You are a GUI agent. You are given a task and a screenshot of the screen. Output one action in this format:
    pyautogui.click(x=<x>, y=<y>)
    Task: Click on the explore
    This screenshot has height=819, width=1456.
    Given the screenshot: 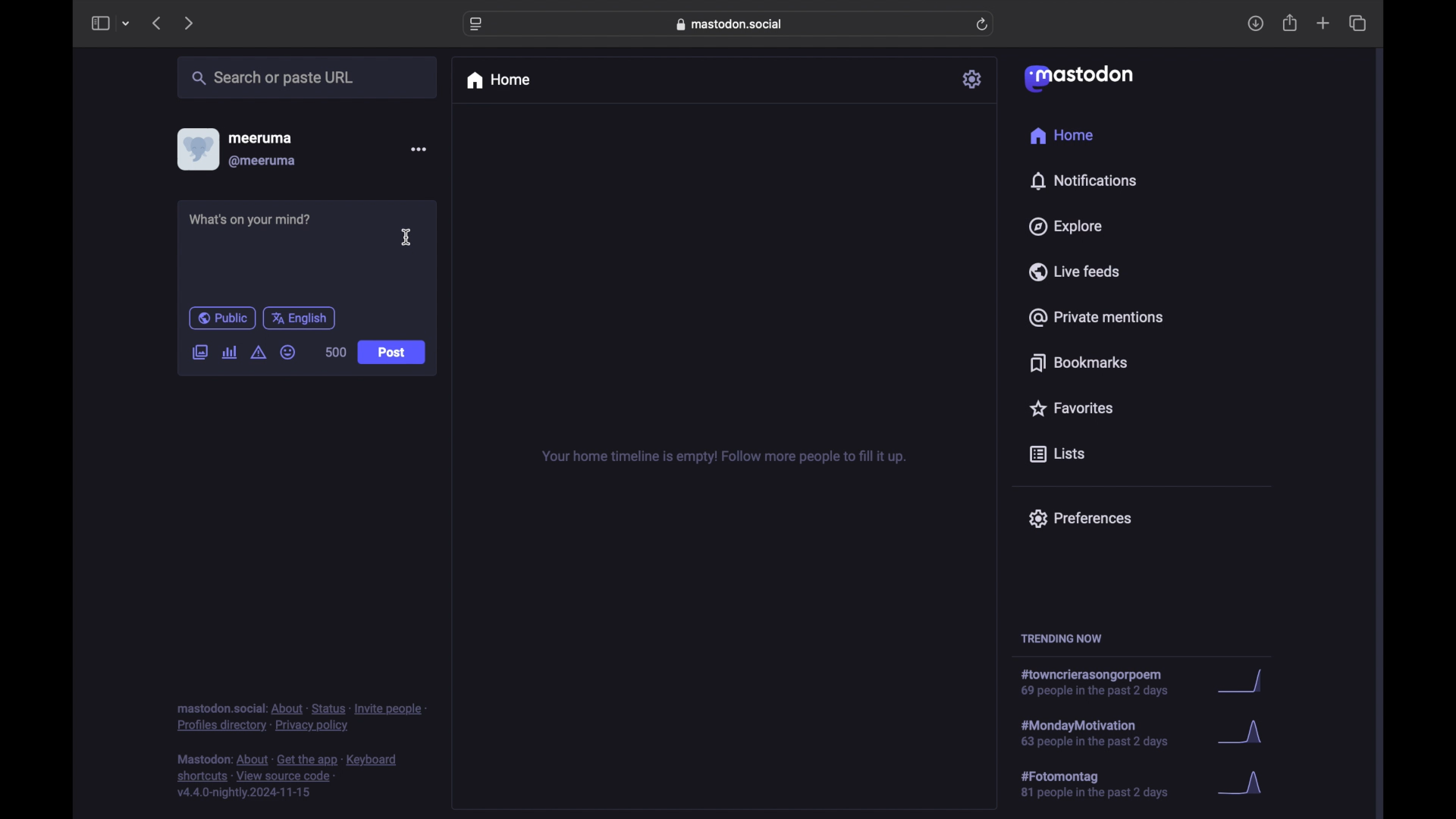 What is the action you would take?
    pyautogui.click(x=1064, y=227)
    